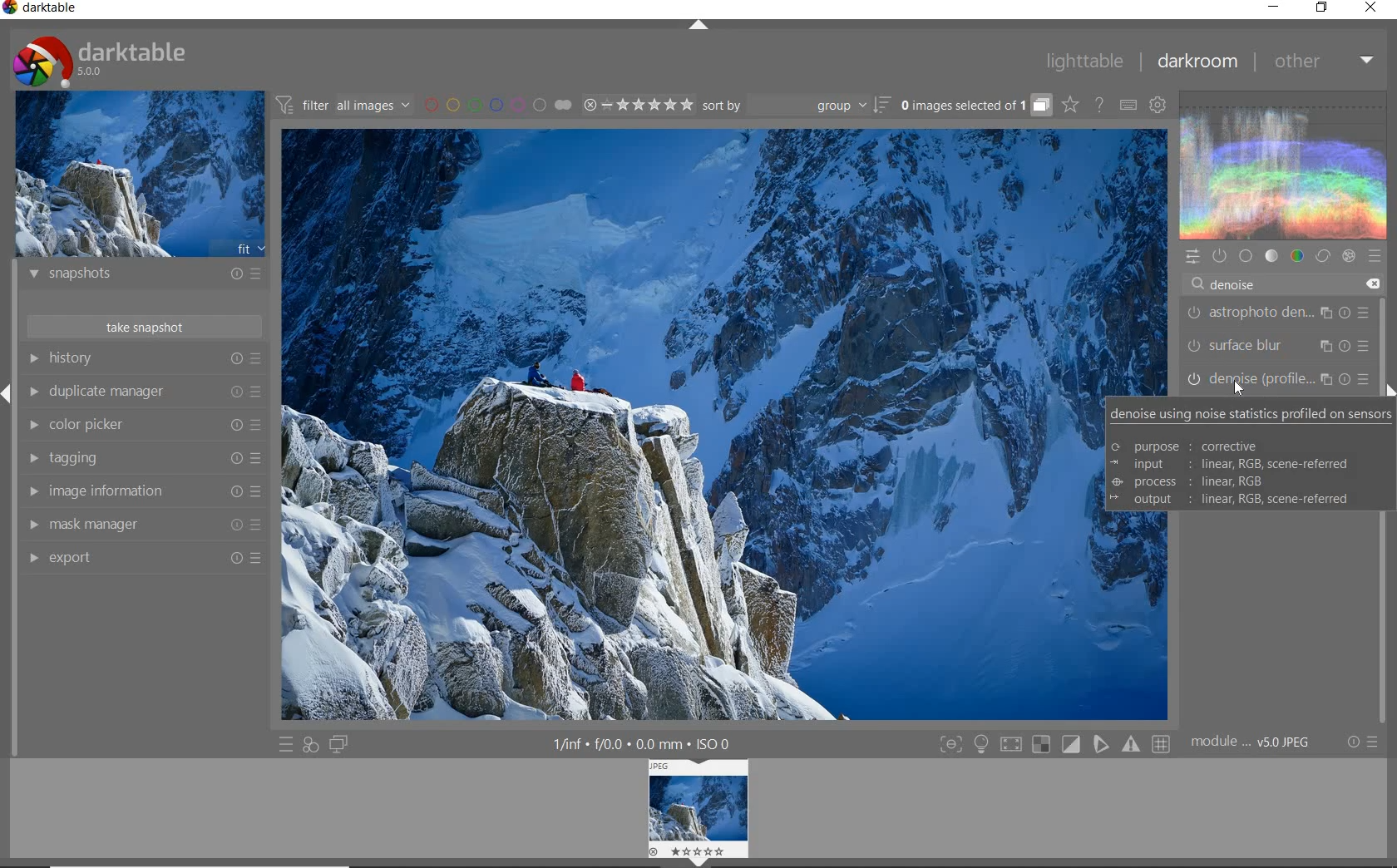 The height and width of the screenshot is (868, 1397). I want to click on correct, so click(1322, 255).